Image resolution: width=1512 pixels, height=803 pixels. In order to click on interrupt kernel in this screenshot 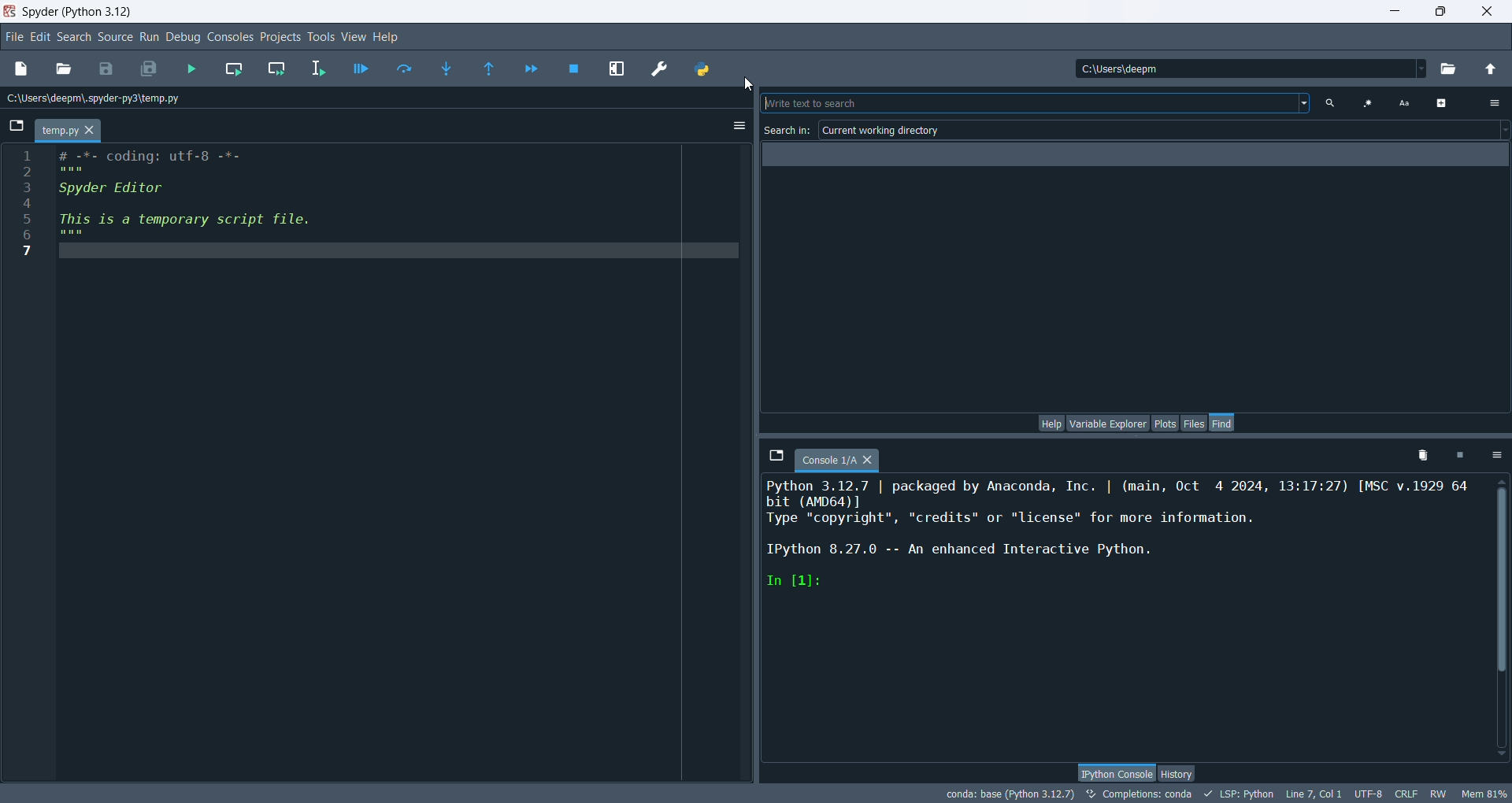, I will do `click(1460, 453)`.